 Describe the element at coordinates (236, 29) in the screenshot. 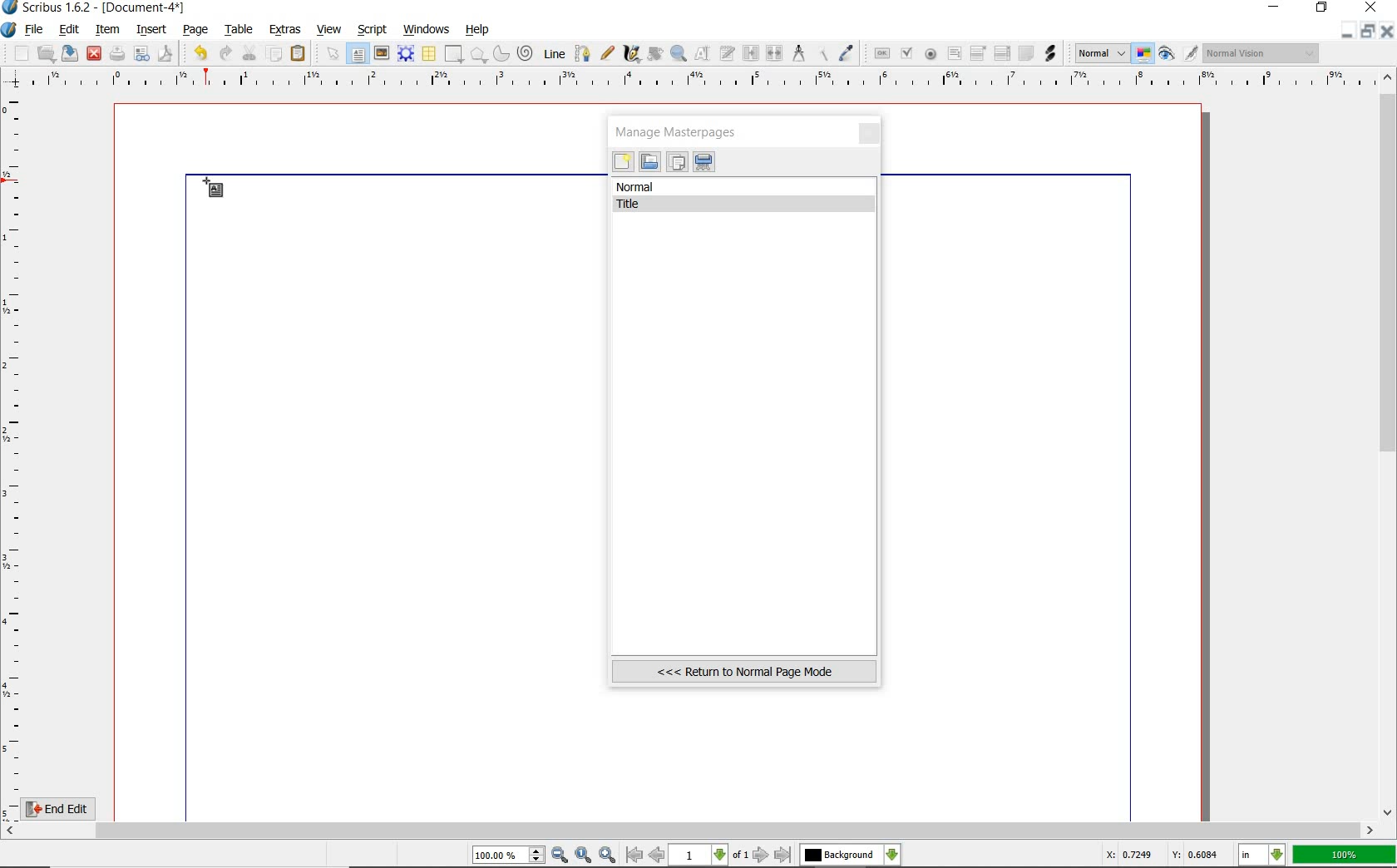

I see `table` at that location.